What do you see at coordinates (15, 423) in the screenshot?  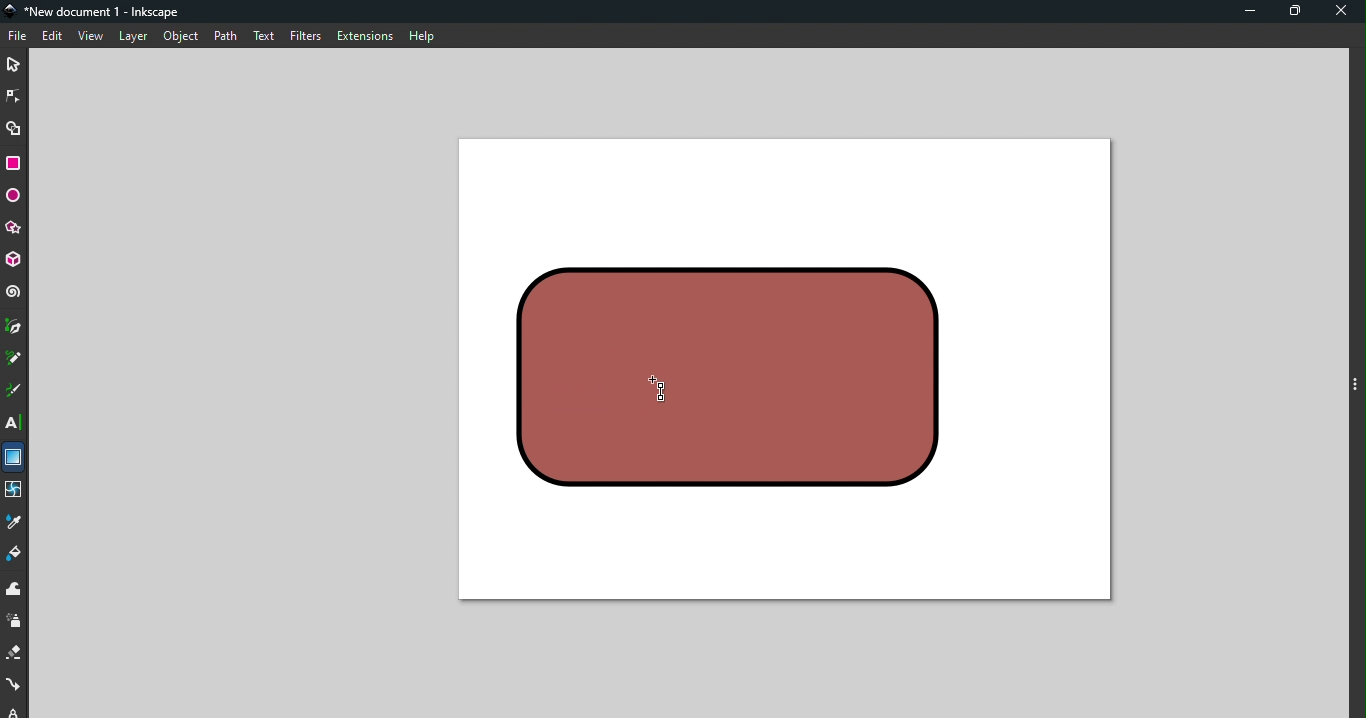 I see `Text tool` at bounding box center [15, 423].